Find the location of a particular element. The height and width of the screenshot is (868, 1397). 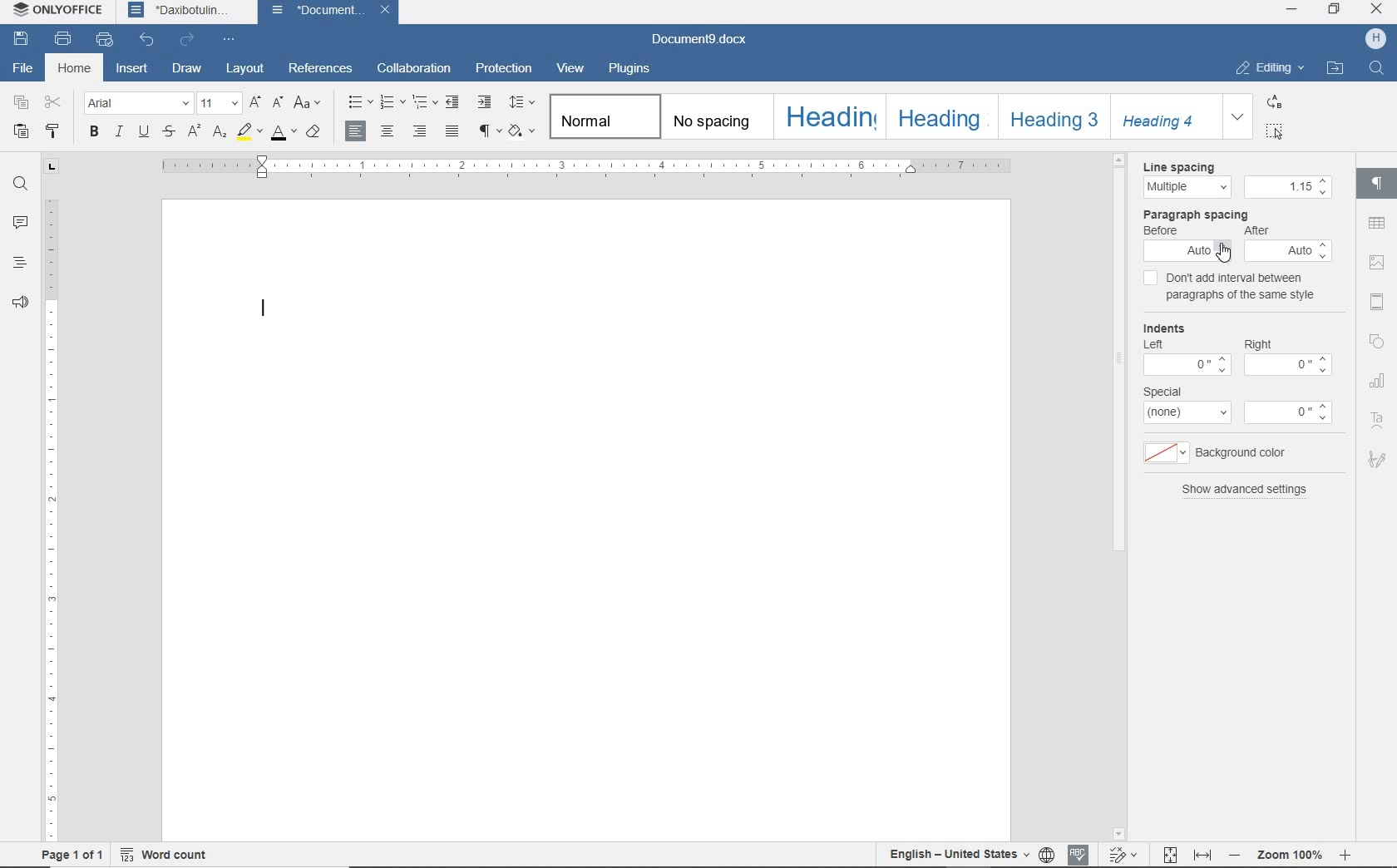

before is located at coordinates (1161, 230).